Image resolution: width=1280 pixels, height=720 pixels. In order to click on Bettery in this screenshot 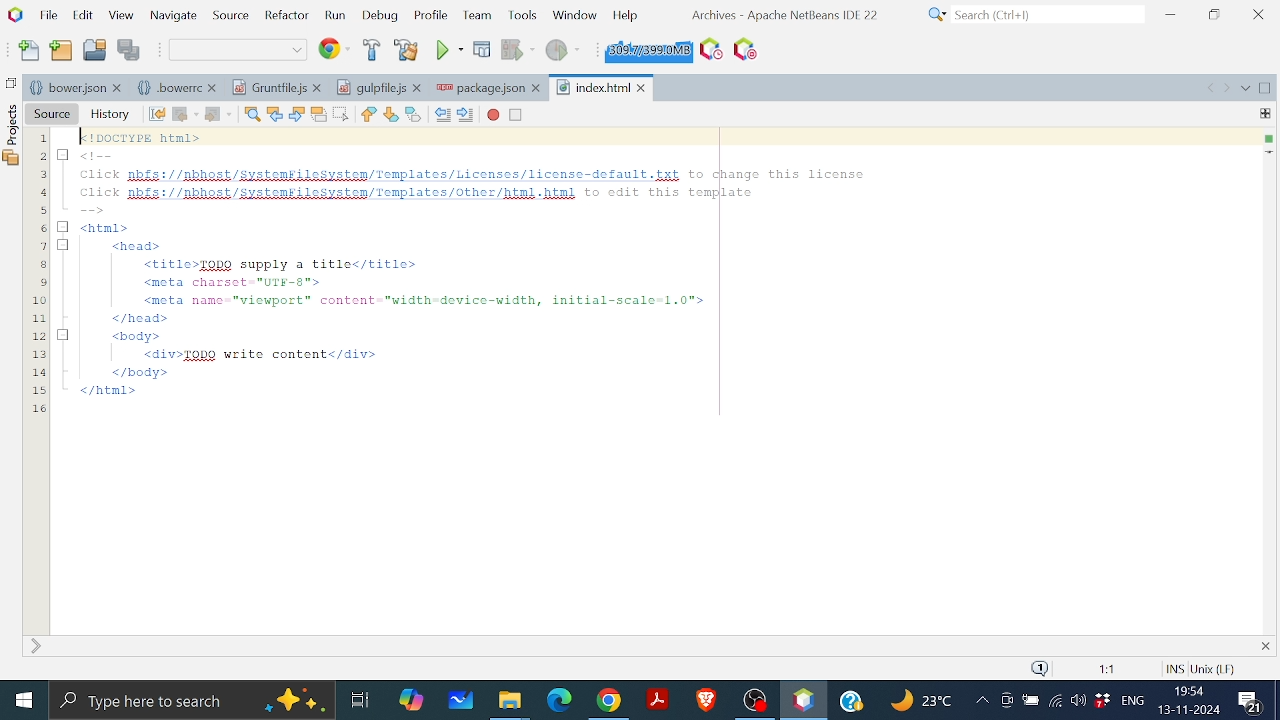, I will do `click(1030, 701)`.